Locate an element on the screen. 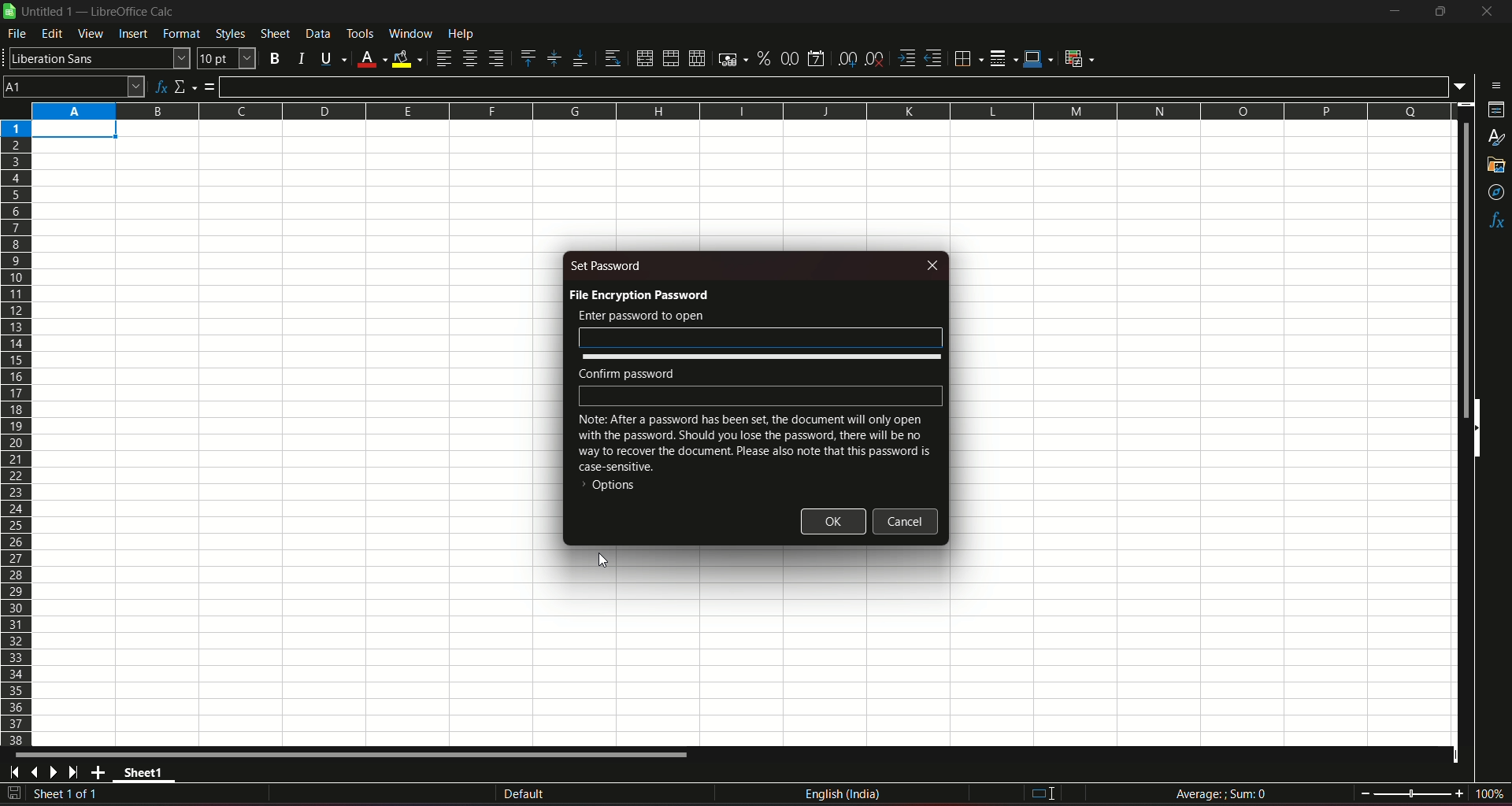  sidebar settings is located at coordinates (1492, 84).